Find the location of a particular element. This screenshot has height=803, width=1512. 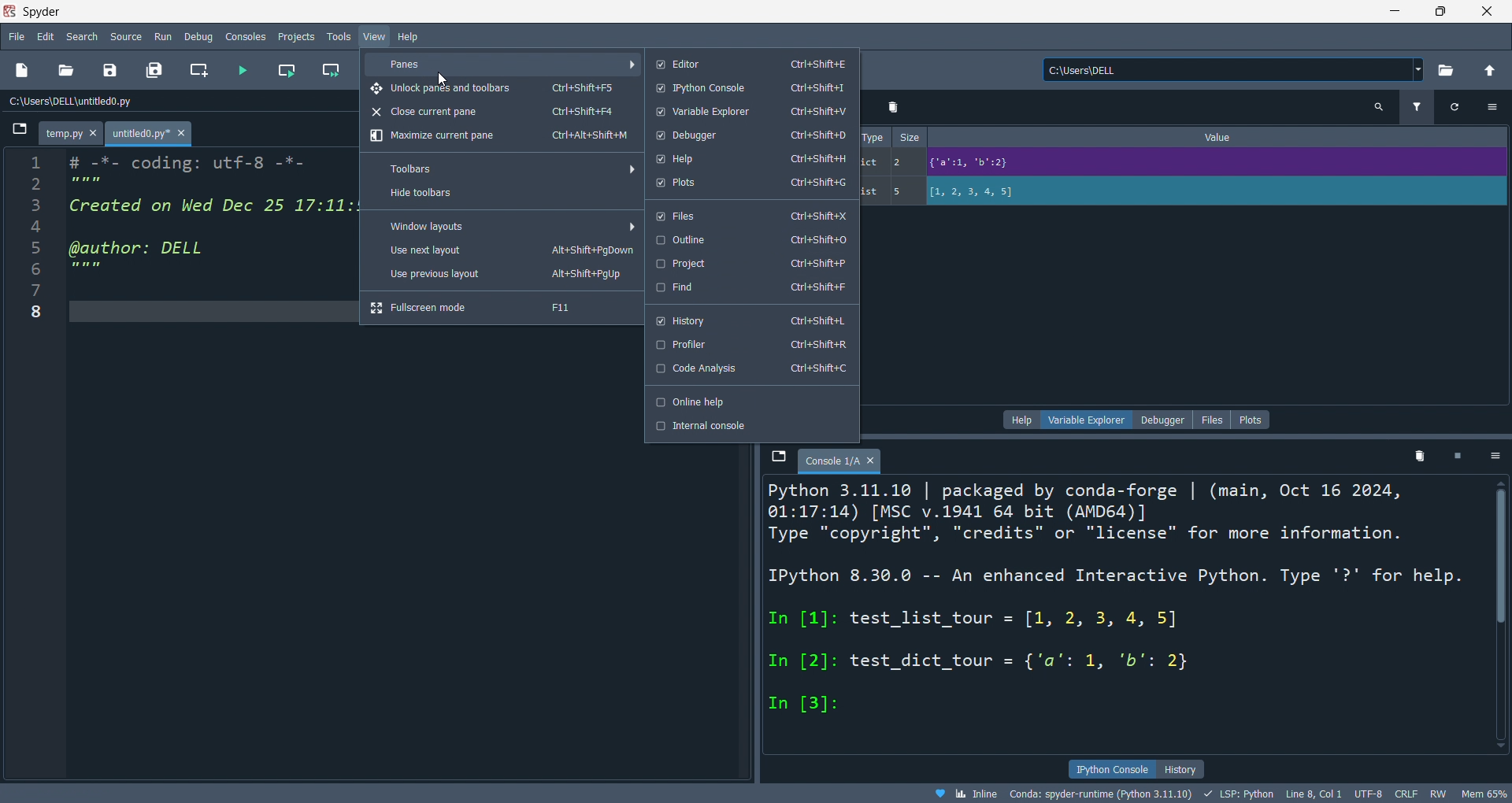

windows layout is located at coordinates (499, 225).